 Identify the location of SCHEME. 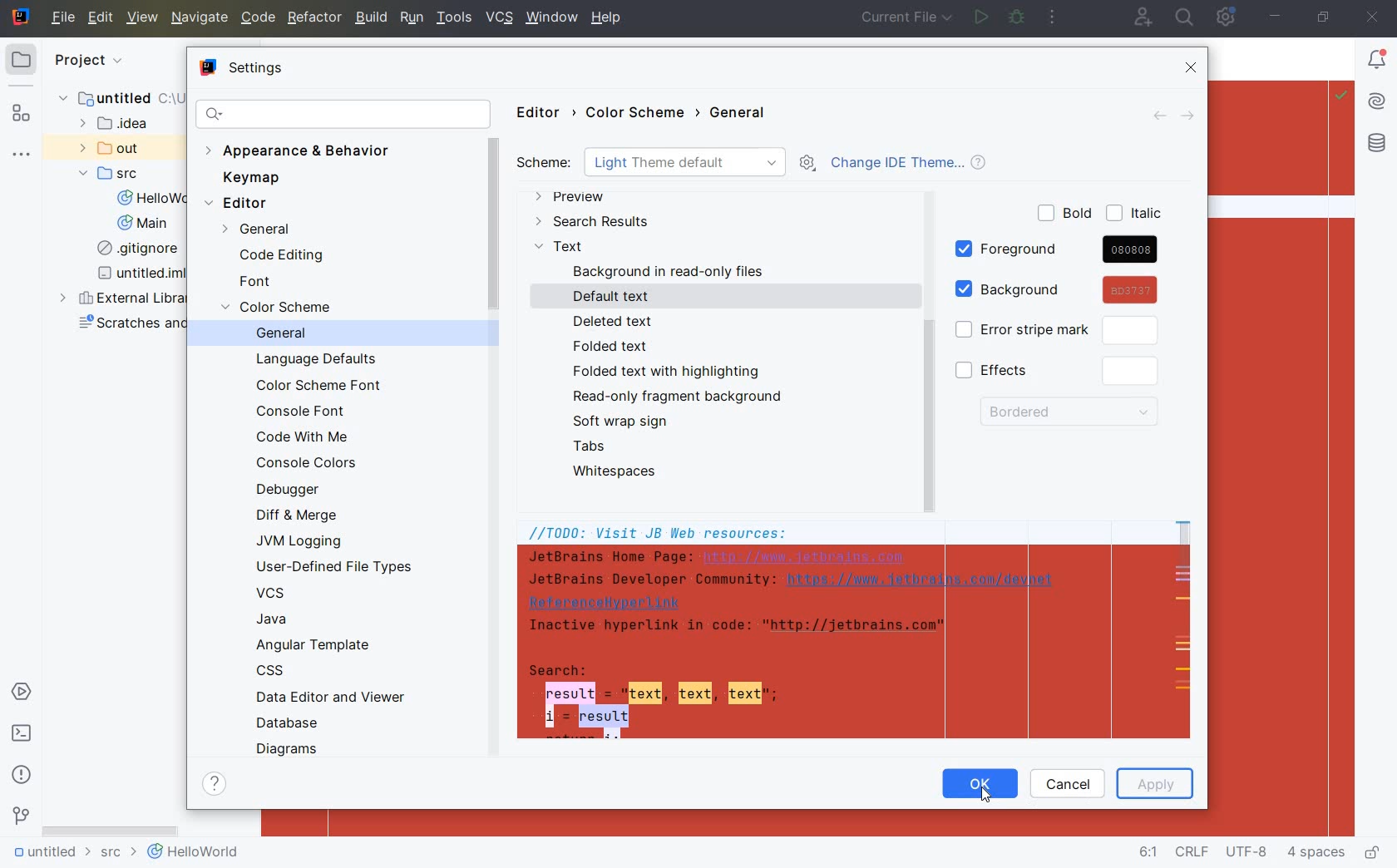
(653, 163).